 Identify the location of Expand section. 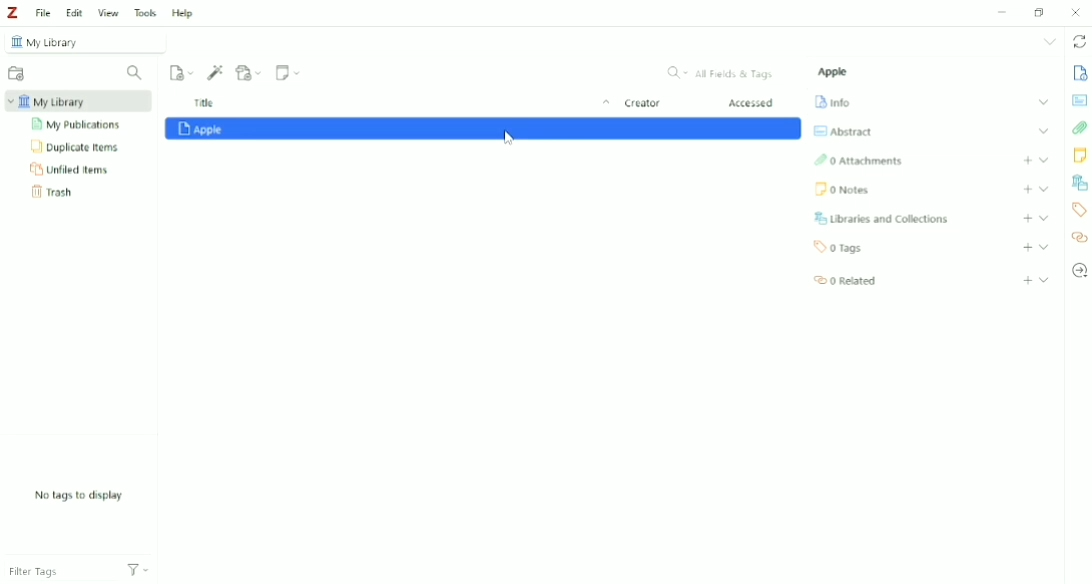
(1043, 131).